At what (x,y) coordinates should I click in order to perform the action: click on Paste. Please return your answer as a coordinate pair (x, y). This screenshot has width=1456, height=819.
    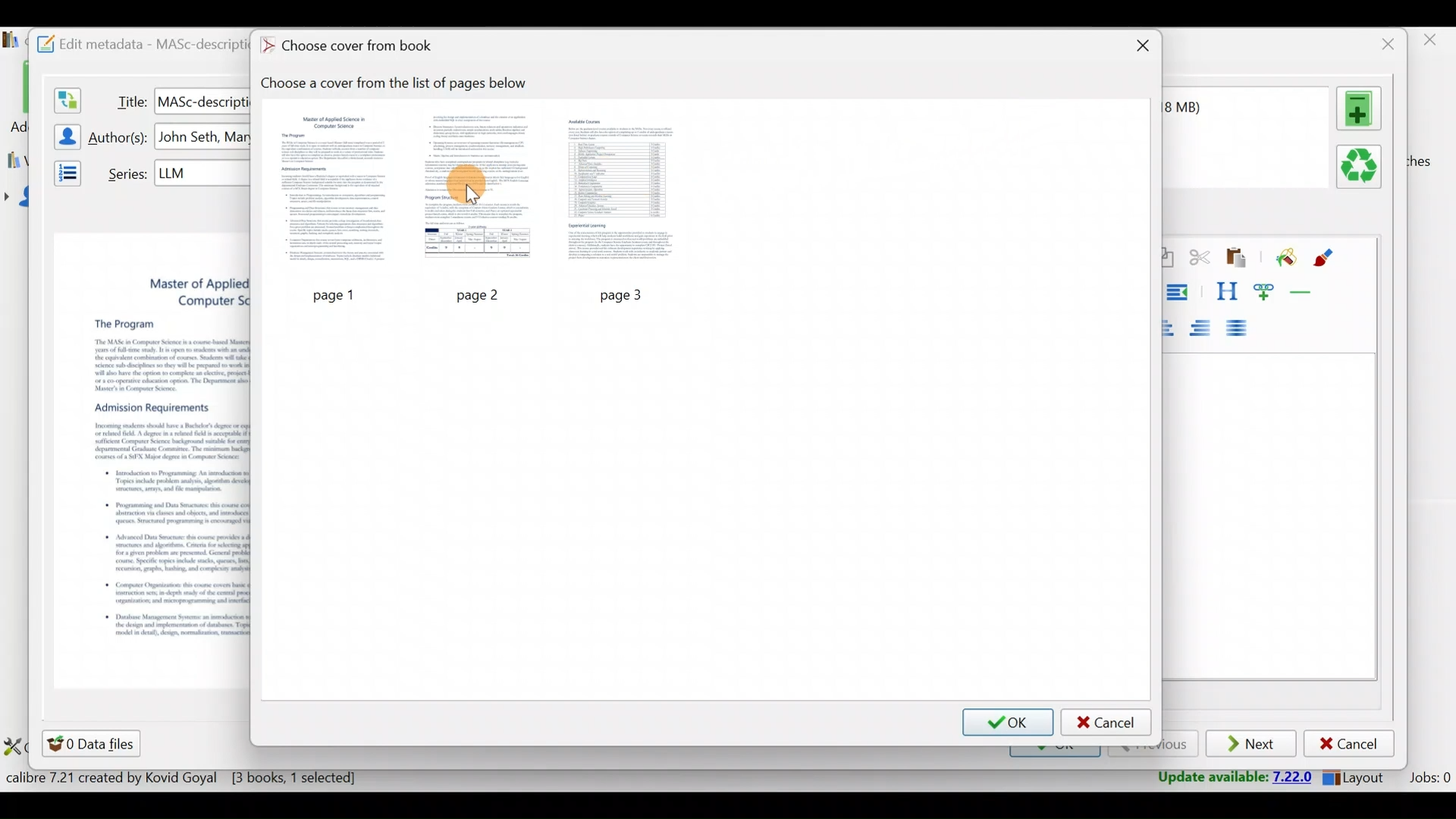
    Looking at the image, I should click on (1239, 259).